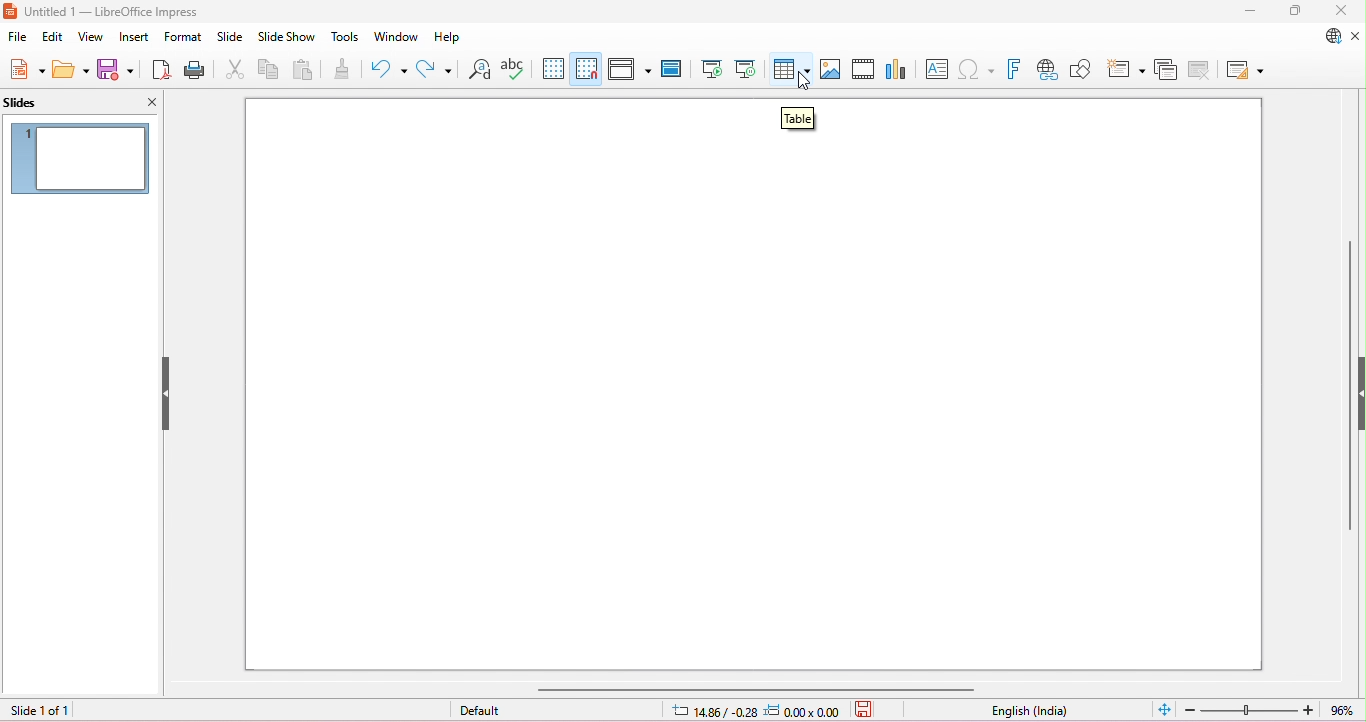 The height and width of the screenshot is (722, 1366). What do you see at coordinates (1338, 11) in the screenshot?
I see `close` at bounding box center [1338, 11].